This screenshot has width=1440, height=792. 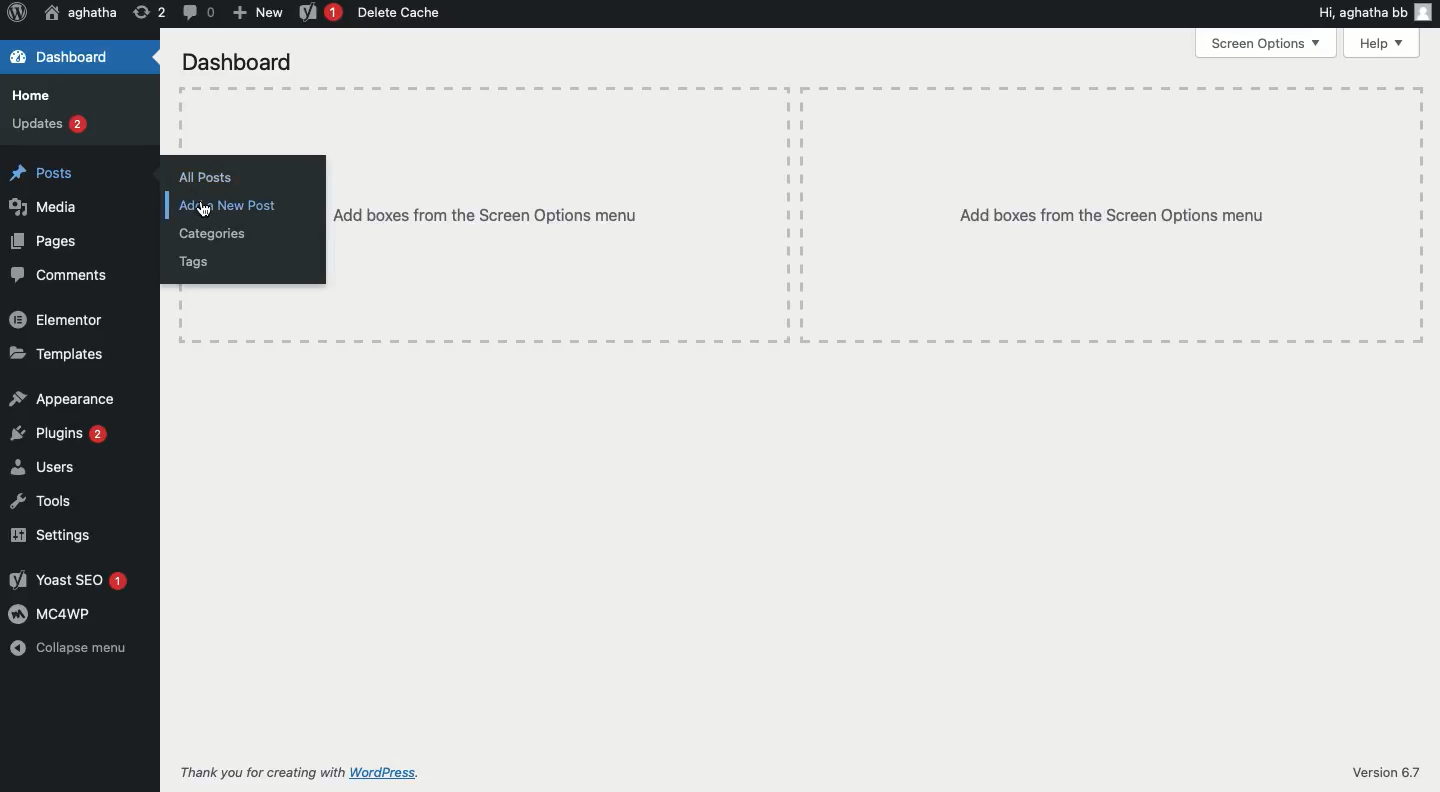 What do you see at coordinates (31, 94) in the screenshot?
I see `Home` at bounding box center [31, 94].